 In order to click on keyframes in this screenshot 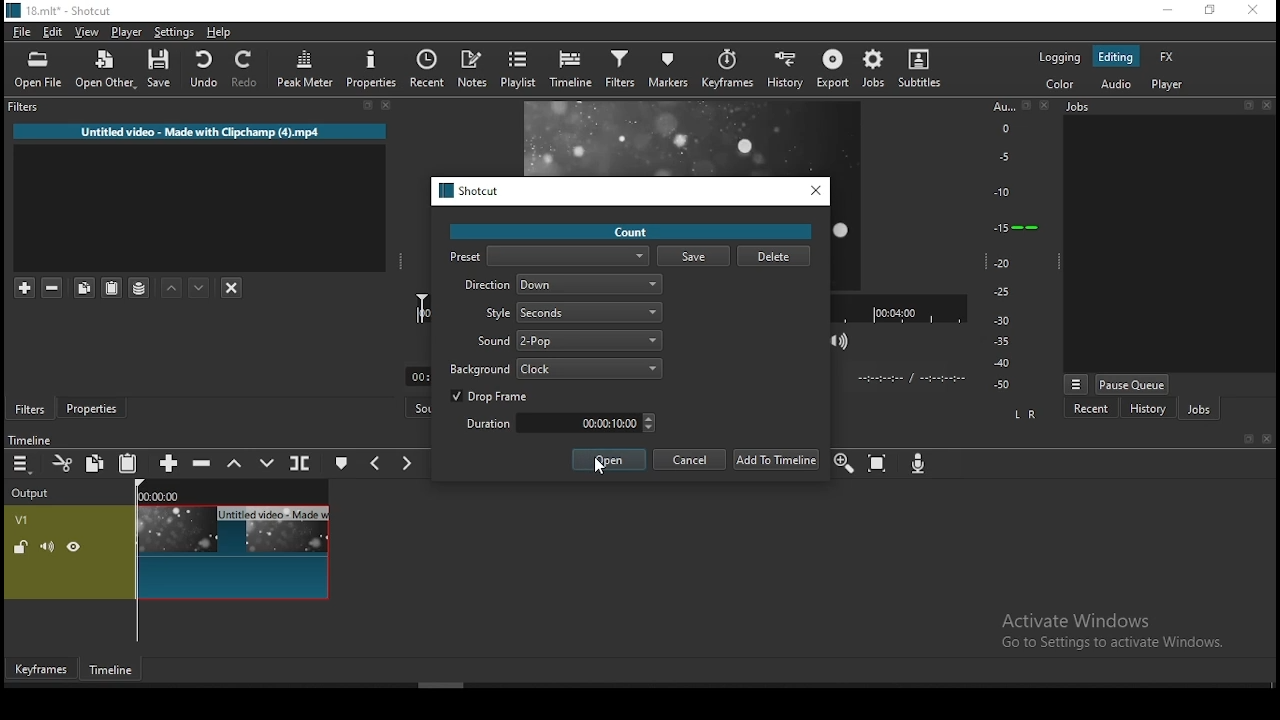, I will do `click(727, 68)`.